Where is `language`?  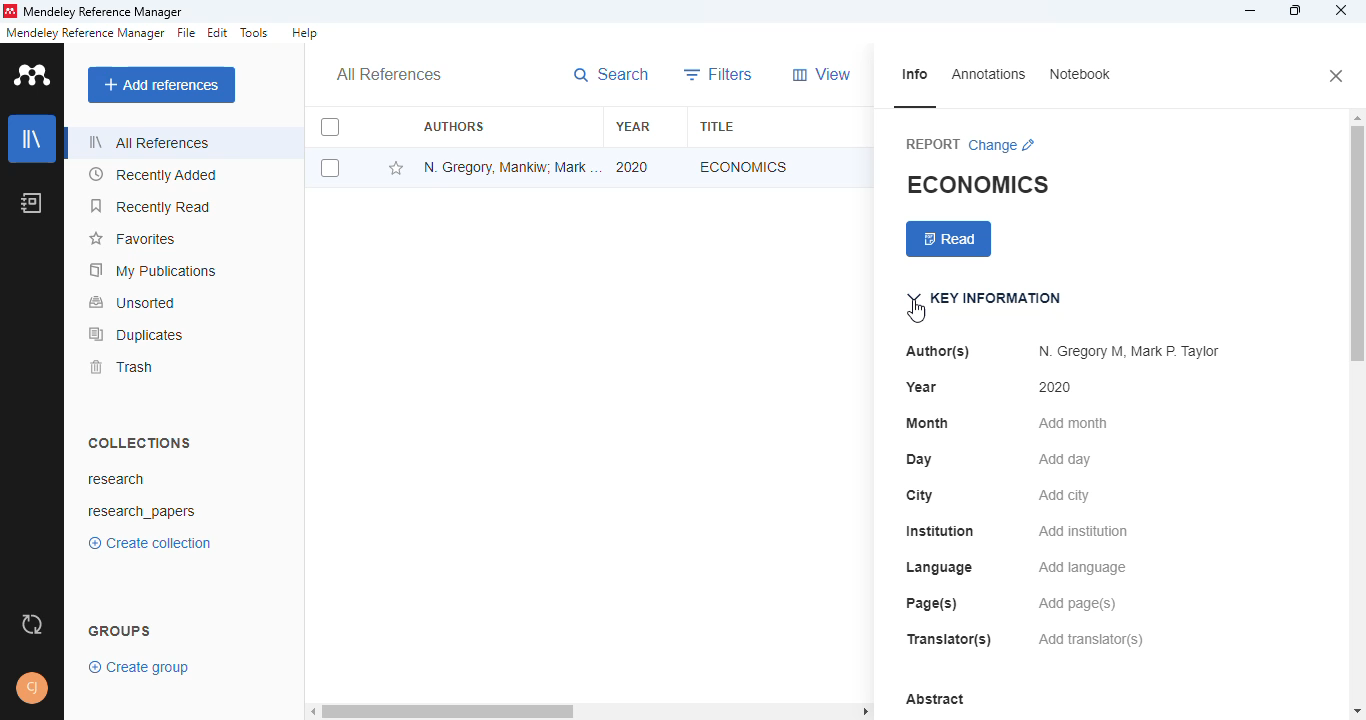
language is located at coordinates (939, 568).